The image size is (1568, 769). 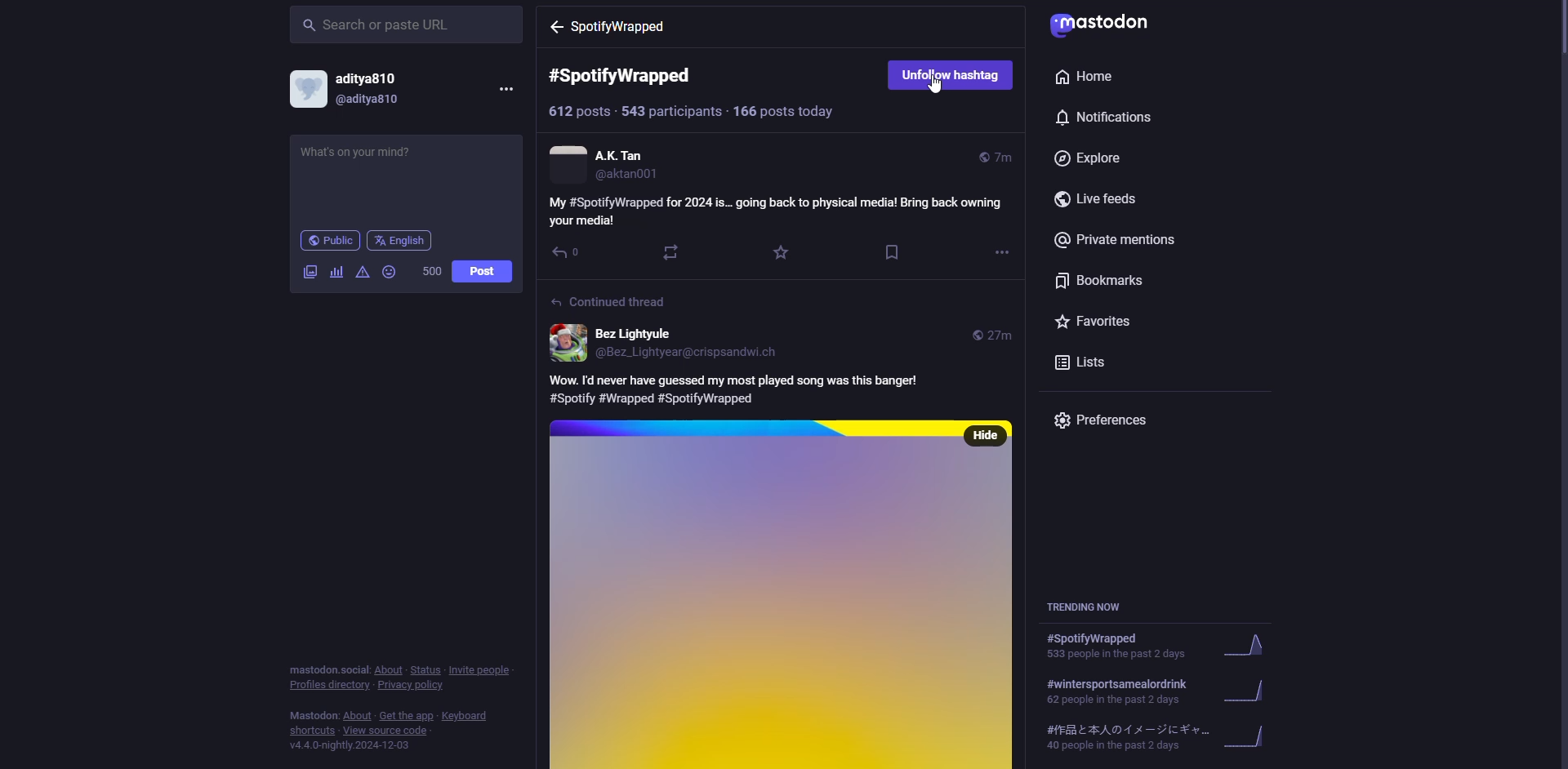 What do you see at coordinates (1081, 77) in the screenshot?
I see `home` at bounding box center [1081, 77].